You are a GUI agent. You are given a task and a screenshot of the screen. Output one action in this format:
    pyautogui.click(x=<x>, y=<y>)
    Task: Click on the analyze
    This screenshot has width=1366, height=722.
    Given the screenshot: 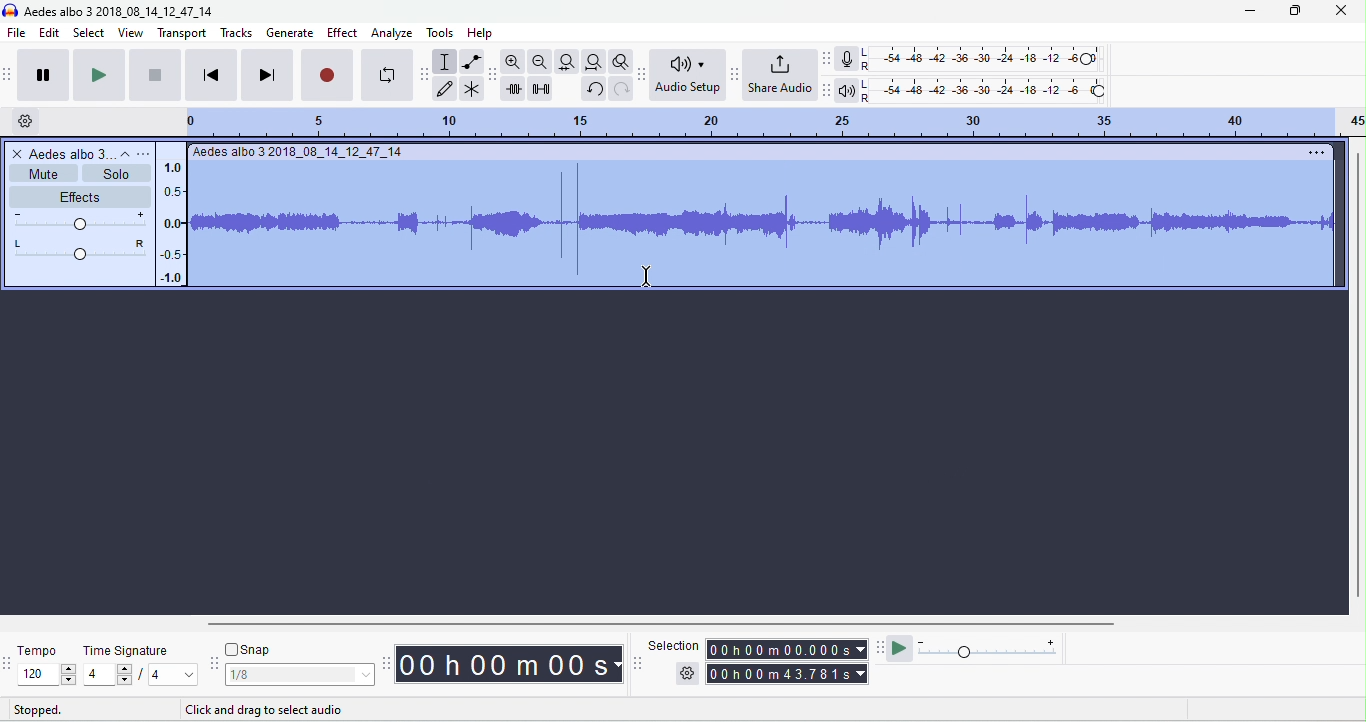 What is the action you would take?
    pyautogui.click(x=394, y=33)
    